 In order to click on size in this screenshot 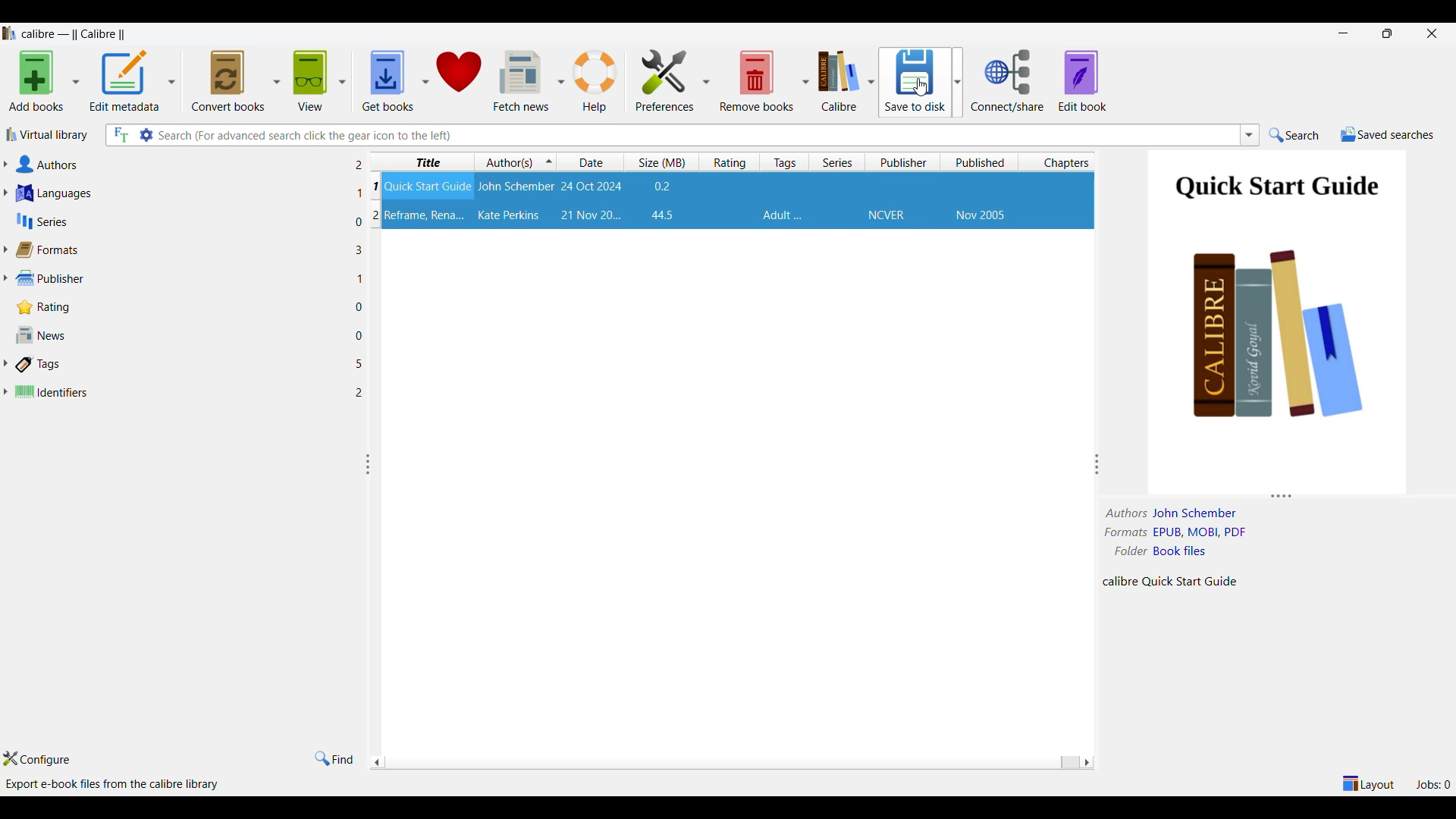, I will do `click(663, 187)`.